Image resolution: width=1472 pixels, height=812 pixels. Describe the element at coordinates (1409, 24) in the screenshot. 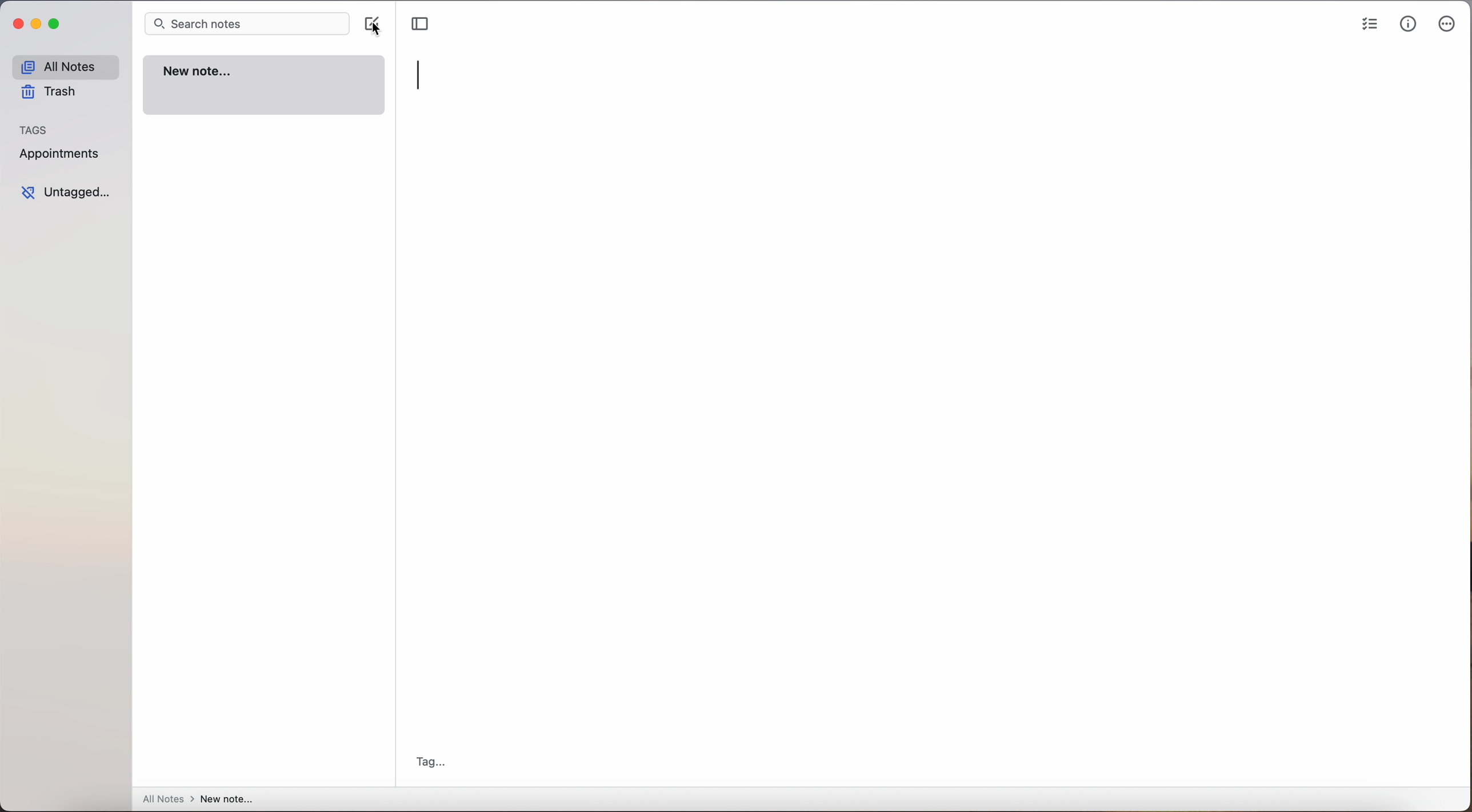

I see `metrics` at that location.